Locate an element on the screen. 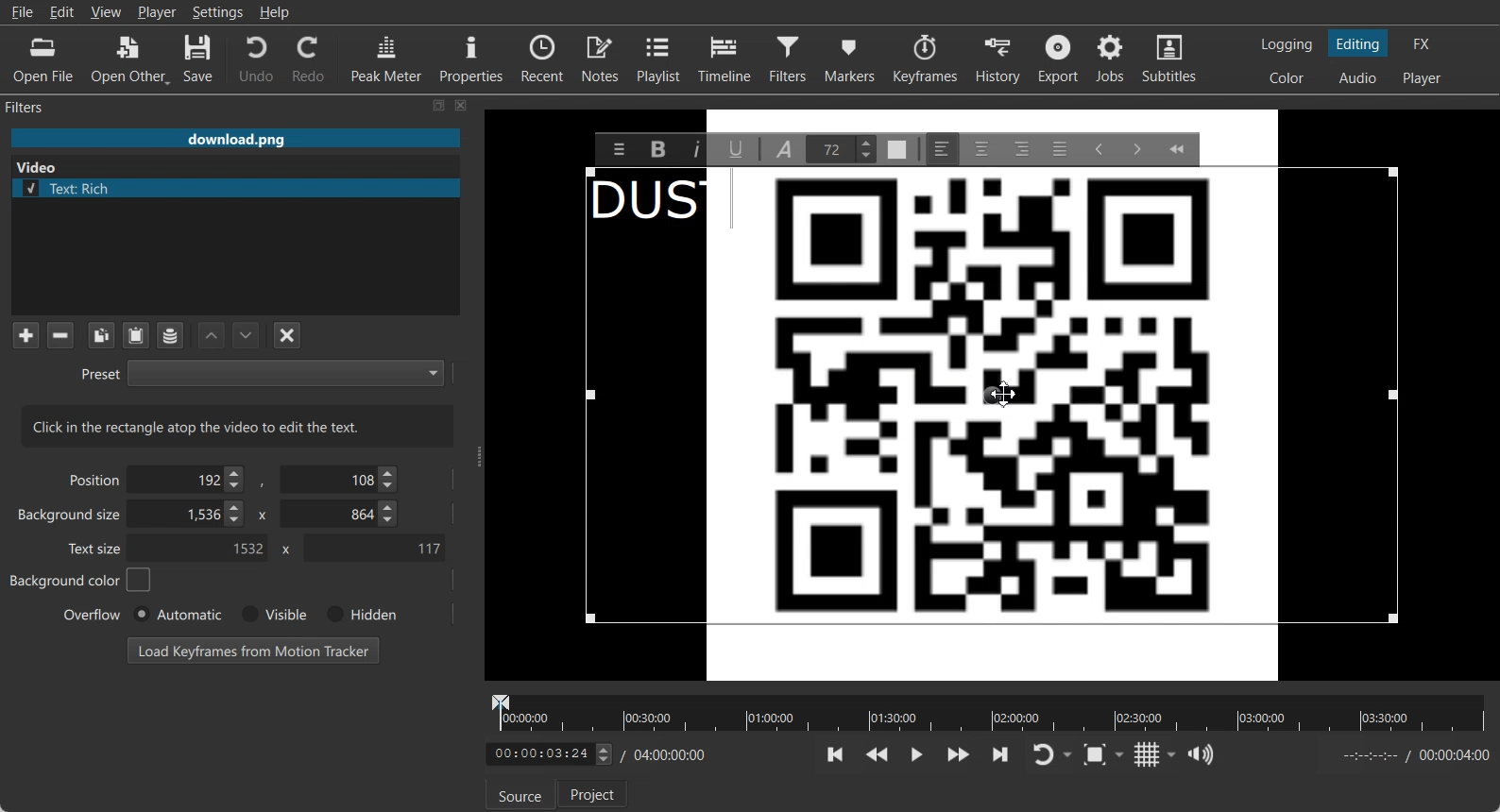 The height and width of the screenshot is (812, 1500). Load Keyframe from Motion Tracker is located at coordinates (253, 650).